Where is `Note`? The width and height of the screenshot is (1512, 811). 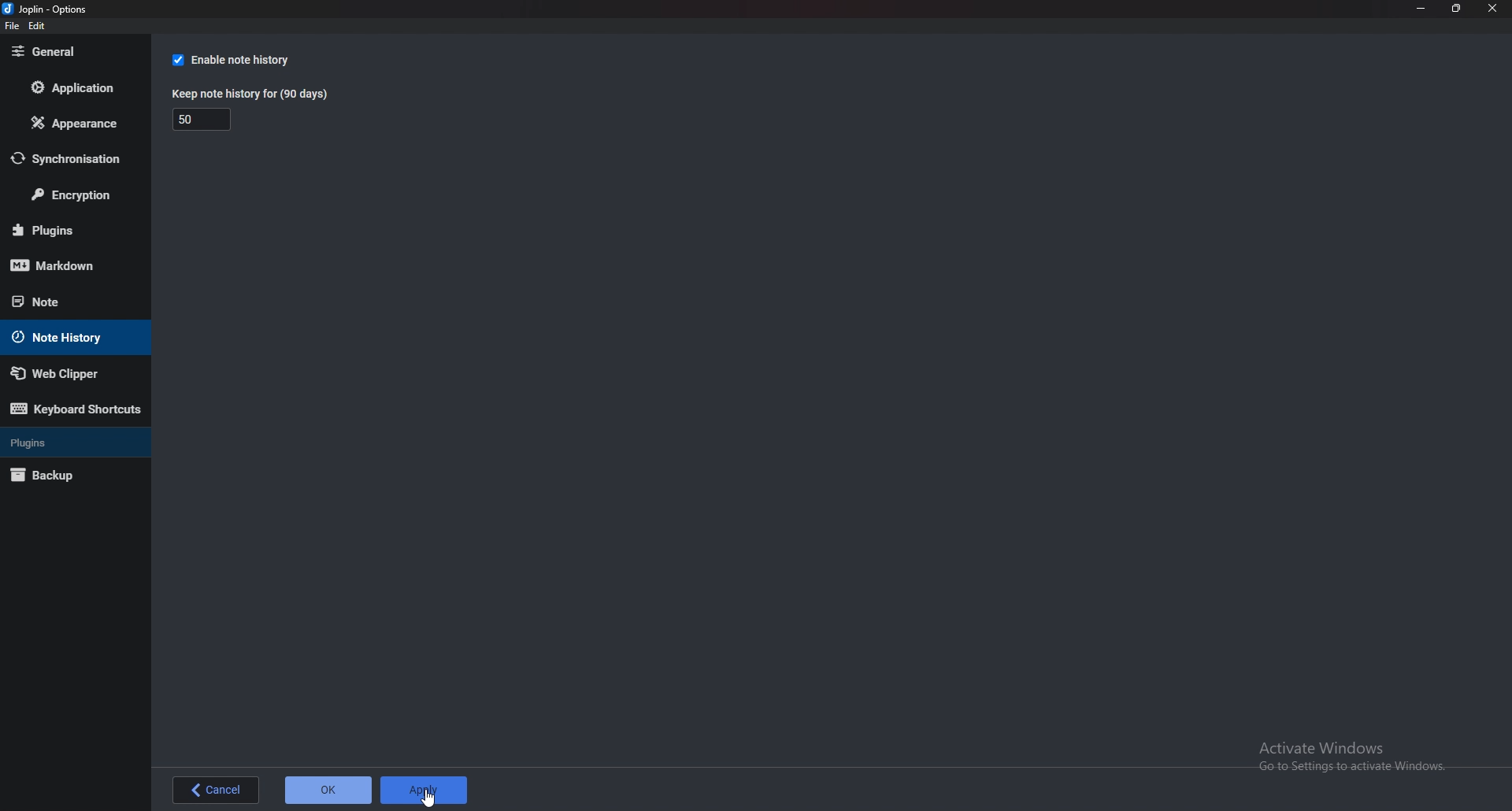 Note is located at coordinates (63, 300).